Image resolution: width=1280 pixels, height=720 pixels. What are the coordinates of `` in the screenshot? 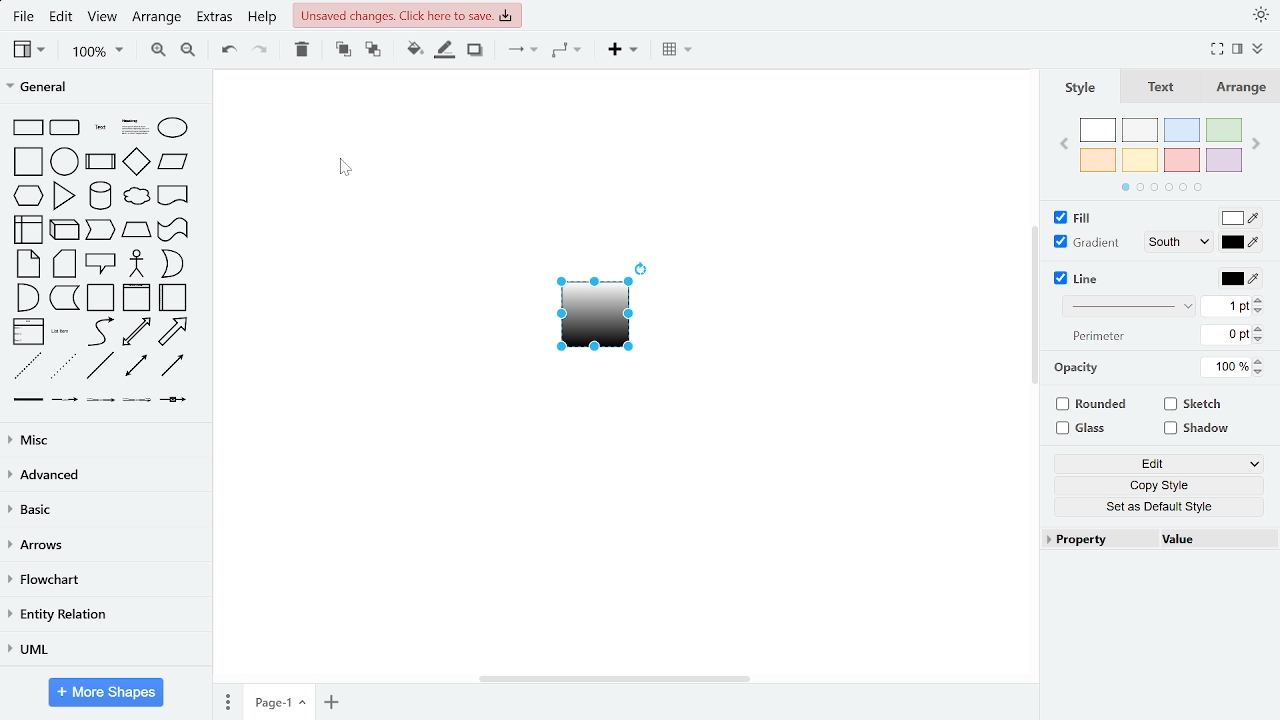 It's located at (25, 398).